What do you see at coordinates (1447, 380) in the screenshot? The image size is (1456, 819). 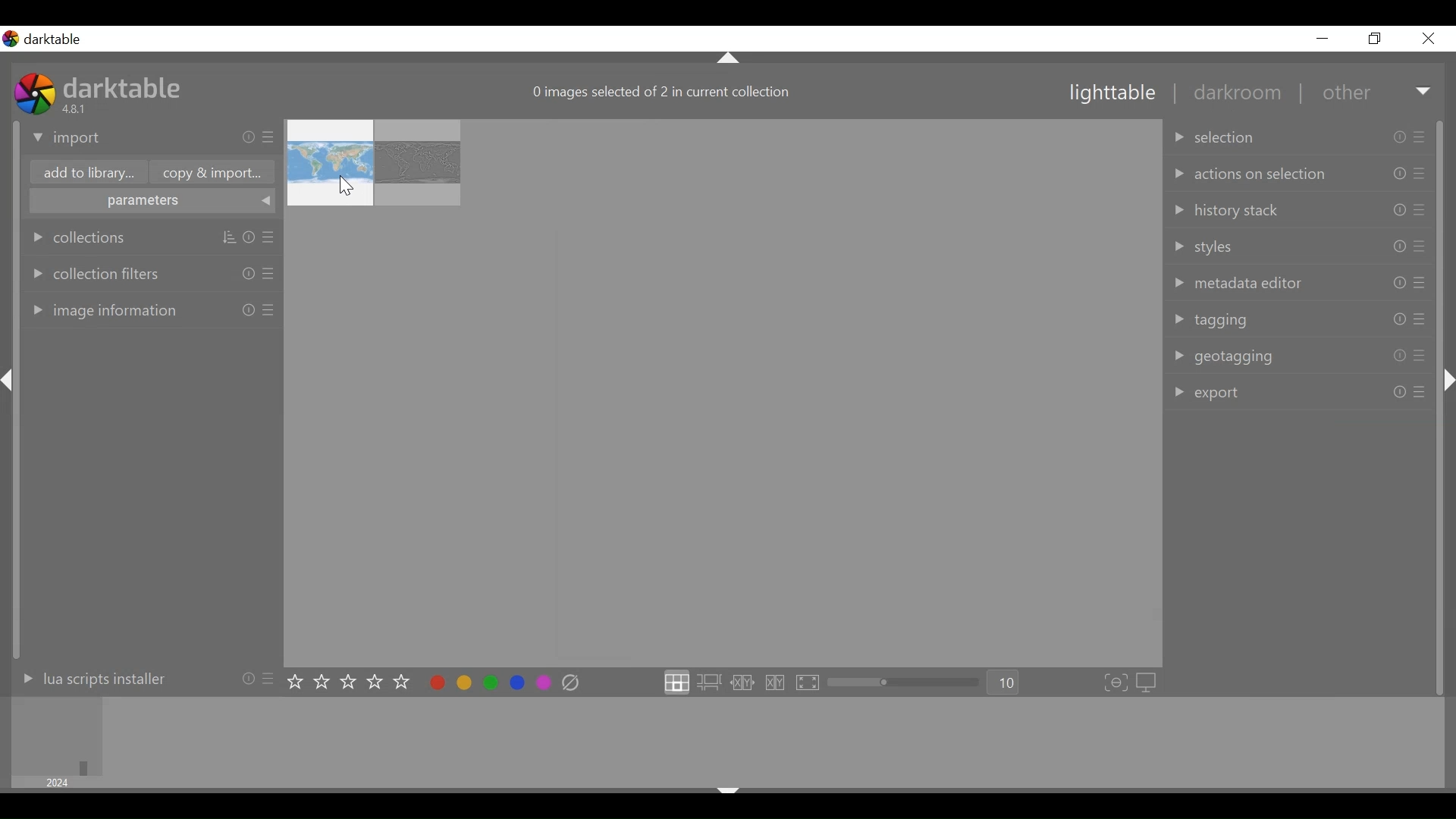 I see `Collapse ` at bounding box center [1447, 380].